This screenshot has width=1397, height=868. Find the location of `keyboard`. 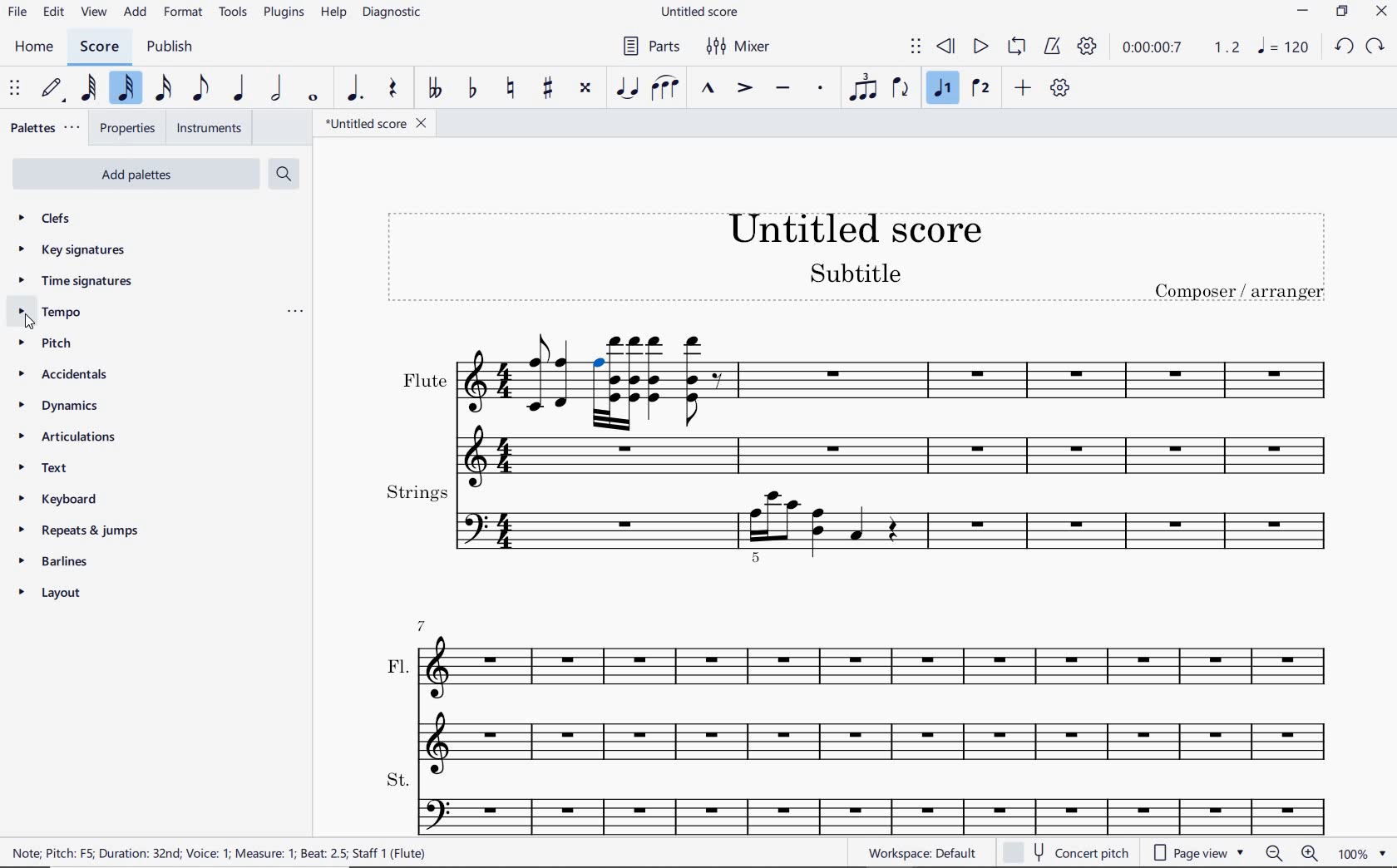

keyboard is located at coordinates (77, 501).